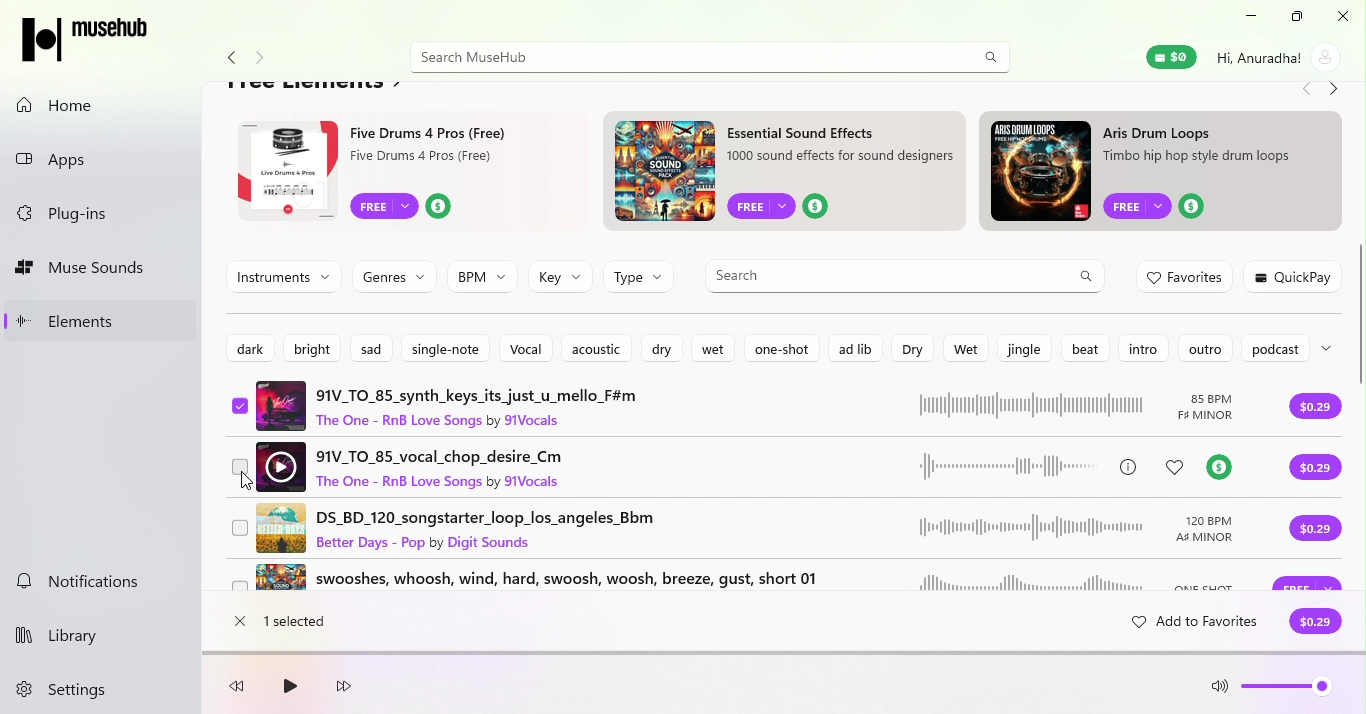 Image resolution: width=1366 pixels, height=714 pixels. Describe the element at coordinates (242, 591) in the screenshot. I see `Select music` at that location.